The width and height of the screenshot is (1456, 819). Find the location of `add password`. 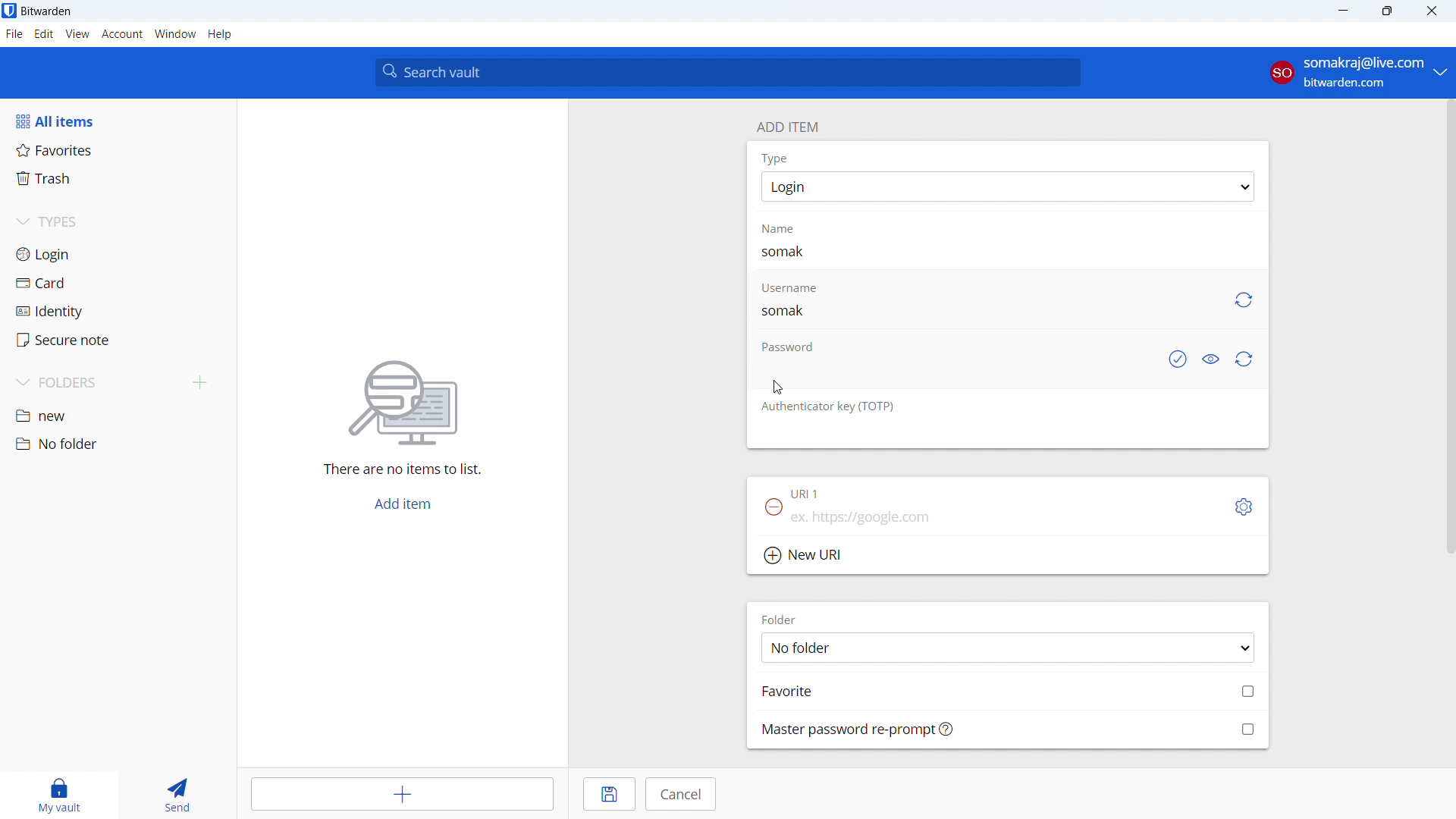

add password is located at coordinates (950, 375).